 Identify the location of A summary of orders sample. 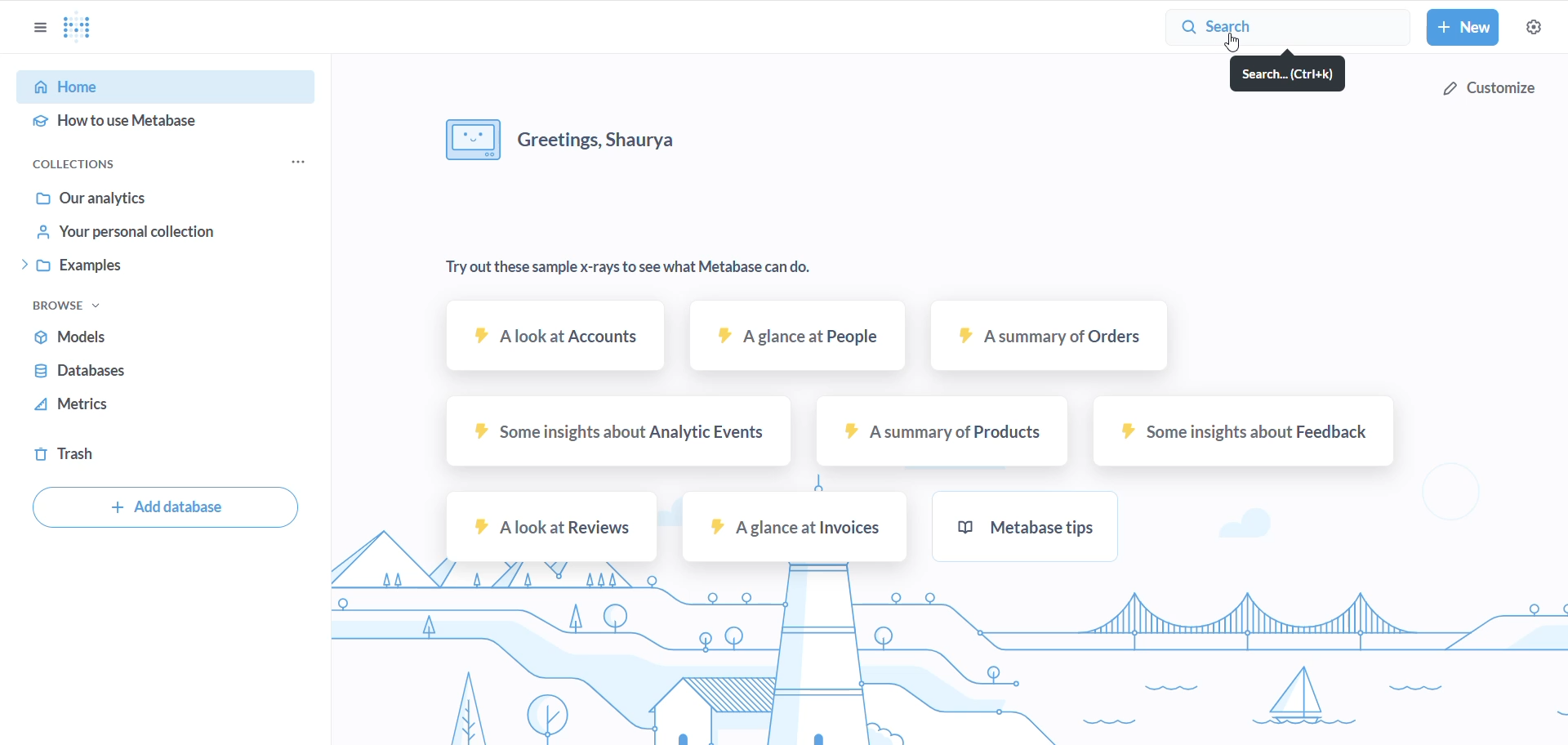
(1049, 337).